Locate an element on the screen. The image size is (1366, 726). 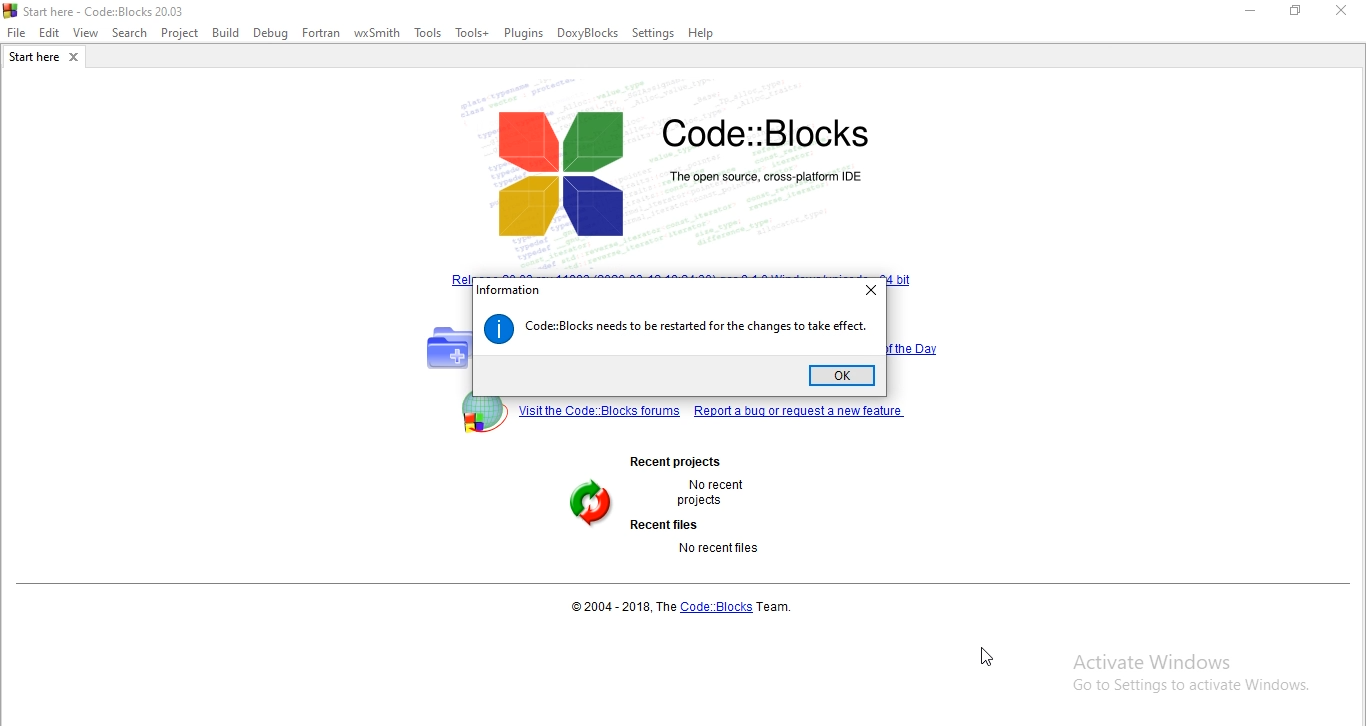
DoxyBlocks is located at coordinates (589, 34).